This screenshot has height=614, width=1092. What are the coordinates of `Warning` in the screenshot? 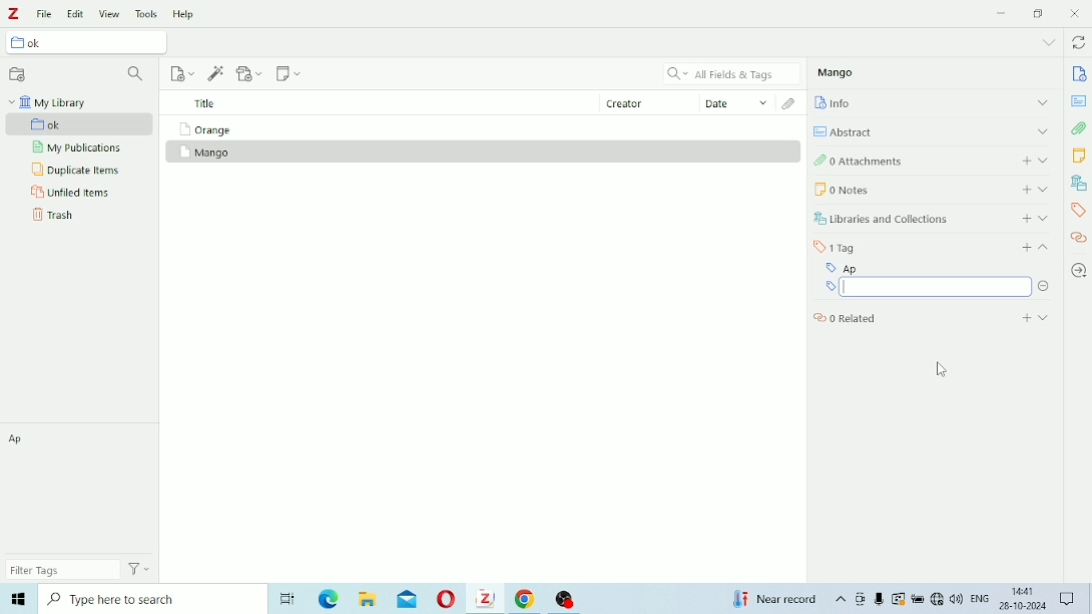 It's located at (898, 599).